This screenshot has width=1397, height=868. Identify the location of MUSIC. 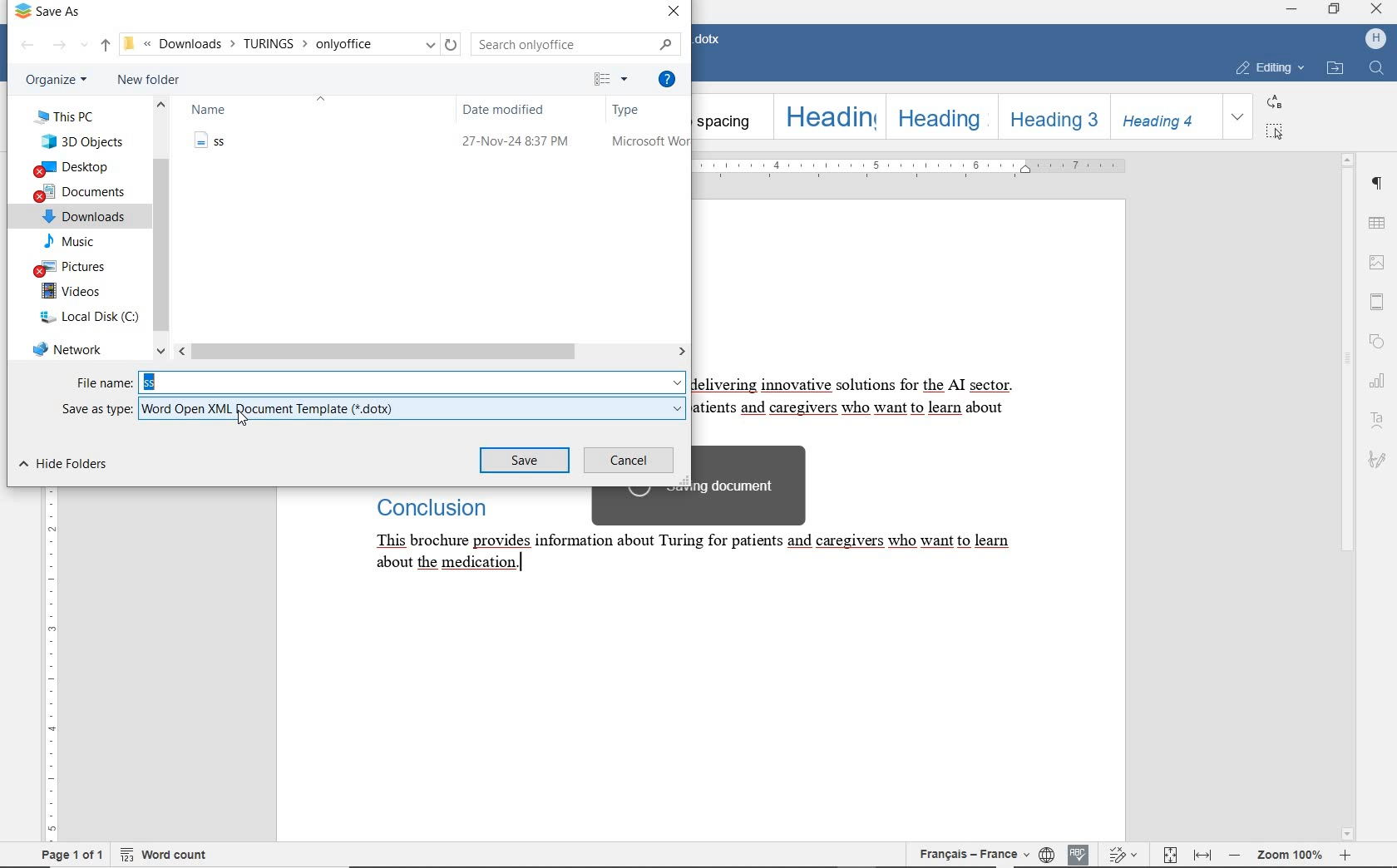
(80, 241).